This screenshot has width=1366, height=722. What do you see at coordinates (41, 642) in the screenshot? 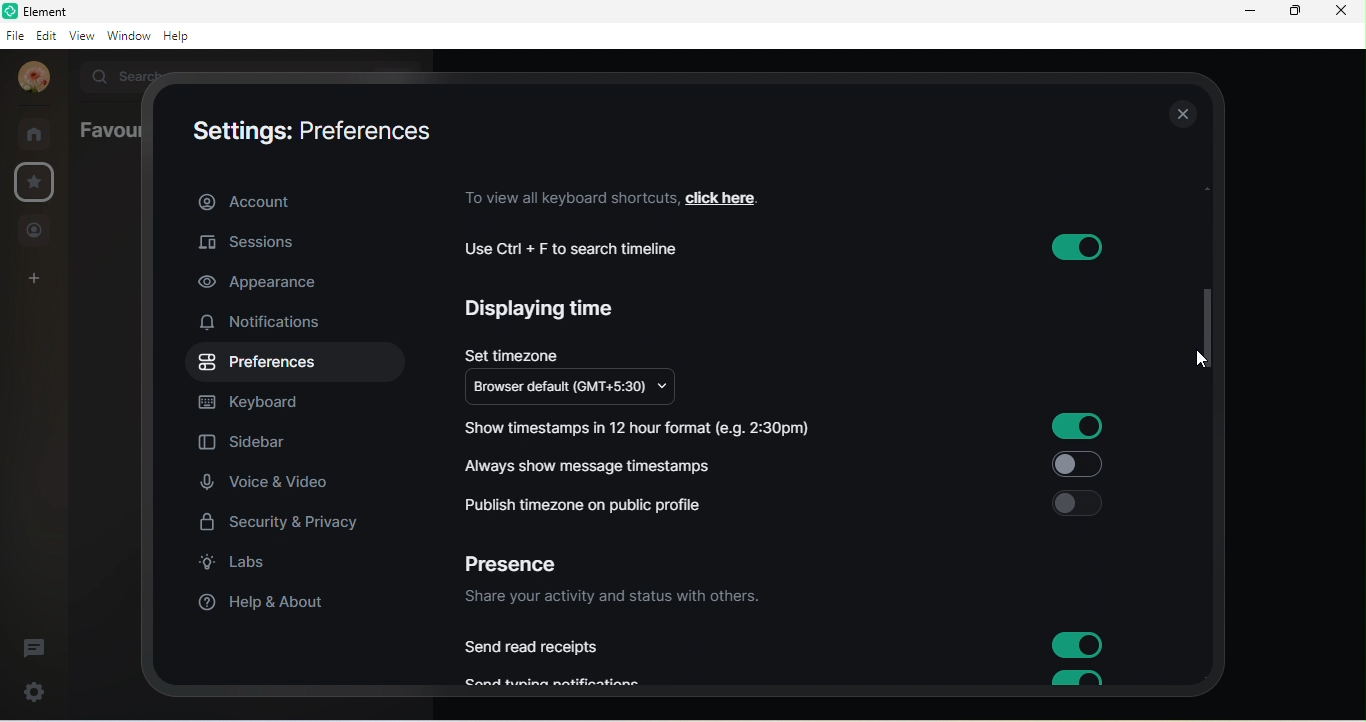
I see `threads` at bounding box center [41, 642].